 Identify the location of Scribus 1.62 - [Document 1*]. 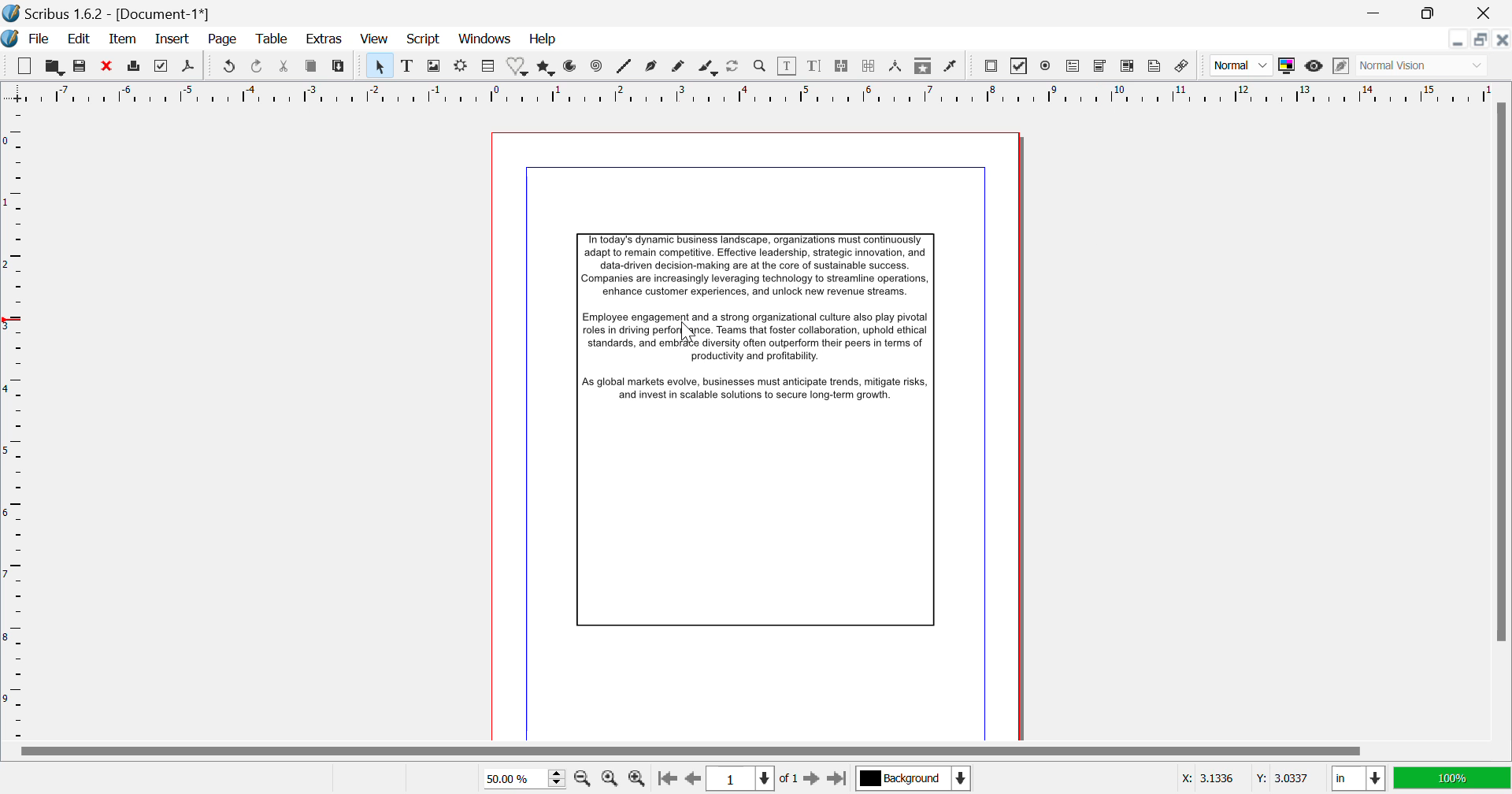
(110, 13).